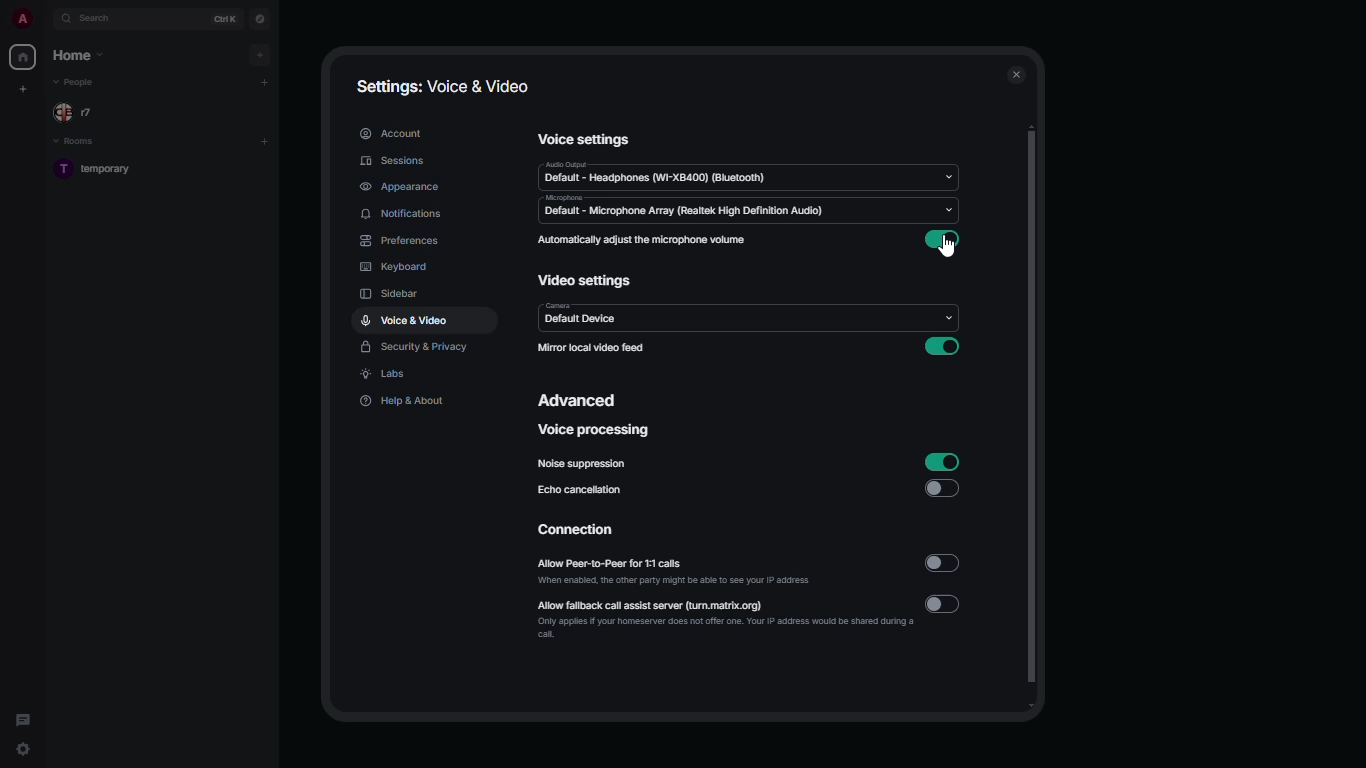 Image resolution: width=1366 pixels, height=768 pixels. I want to click on quick settings, so click(22, 744).